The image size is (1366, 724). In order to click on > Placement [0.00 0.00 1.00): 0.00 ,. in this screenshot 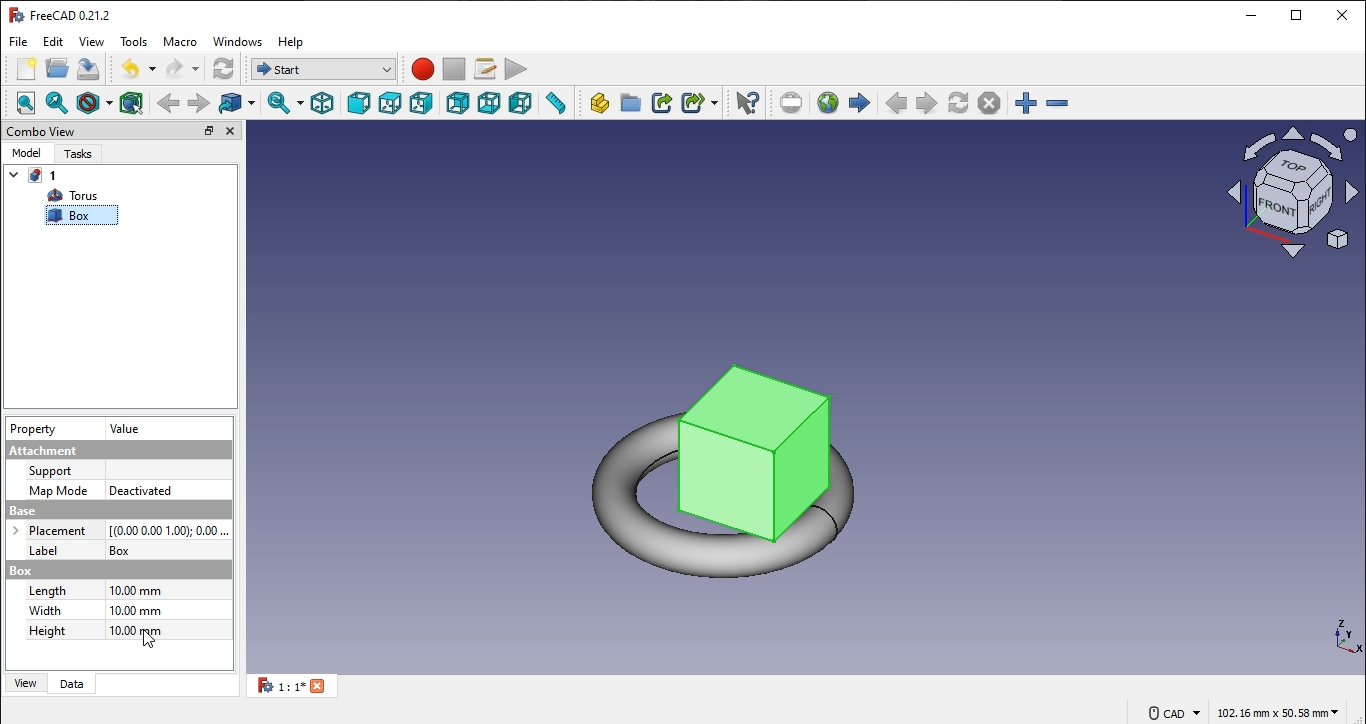, I will do `click(117, 530)`.